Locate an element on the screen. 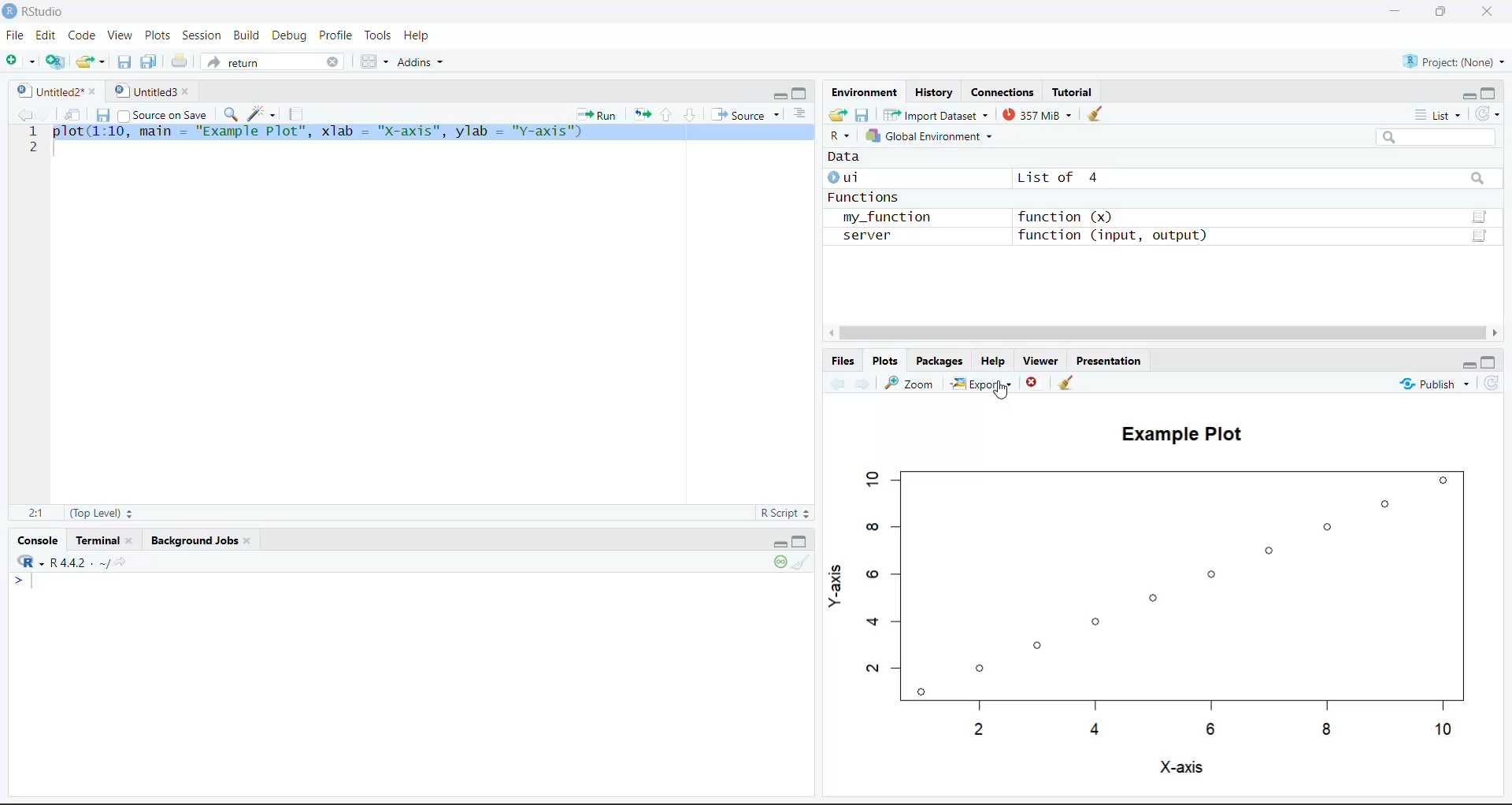 The height and width of the screenshot is (805, 1512). New File is located at coordinates (20, 60).